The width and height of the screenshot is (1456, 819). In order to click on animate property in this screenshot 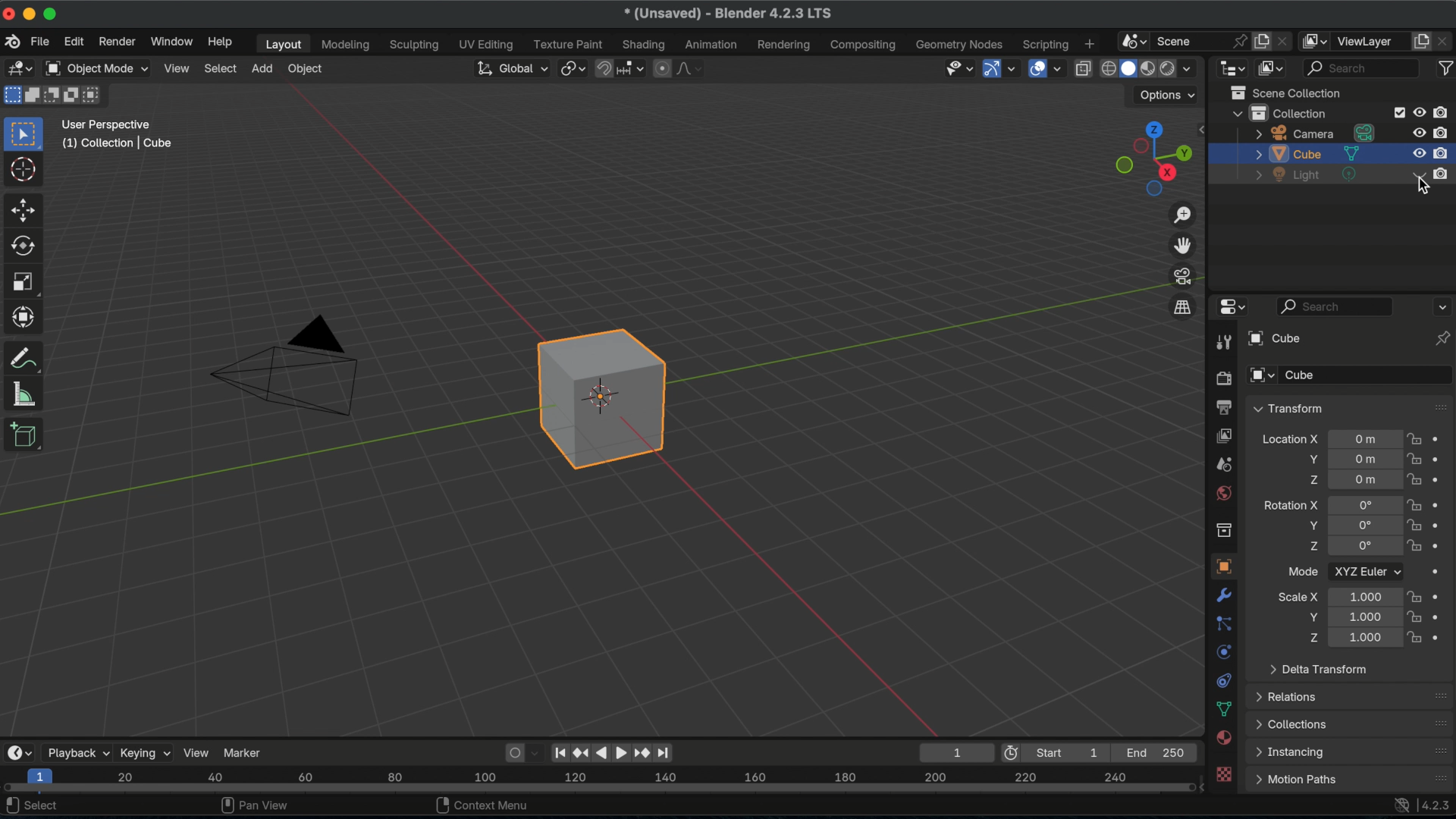, I will do `click(1442, 543)`.